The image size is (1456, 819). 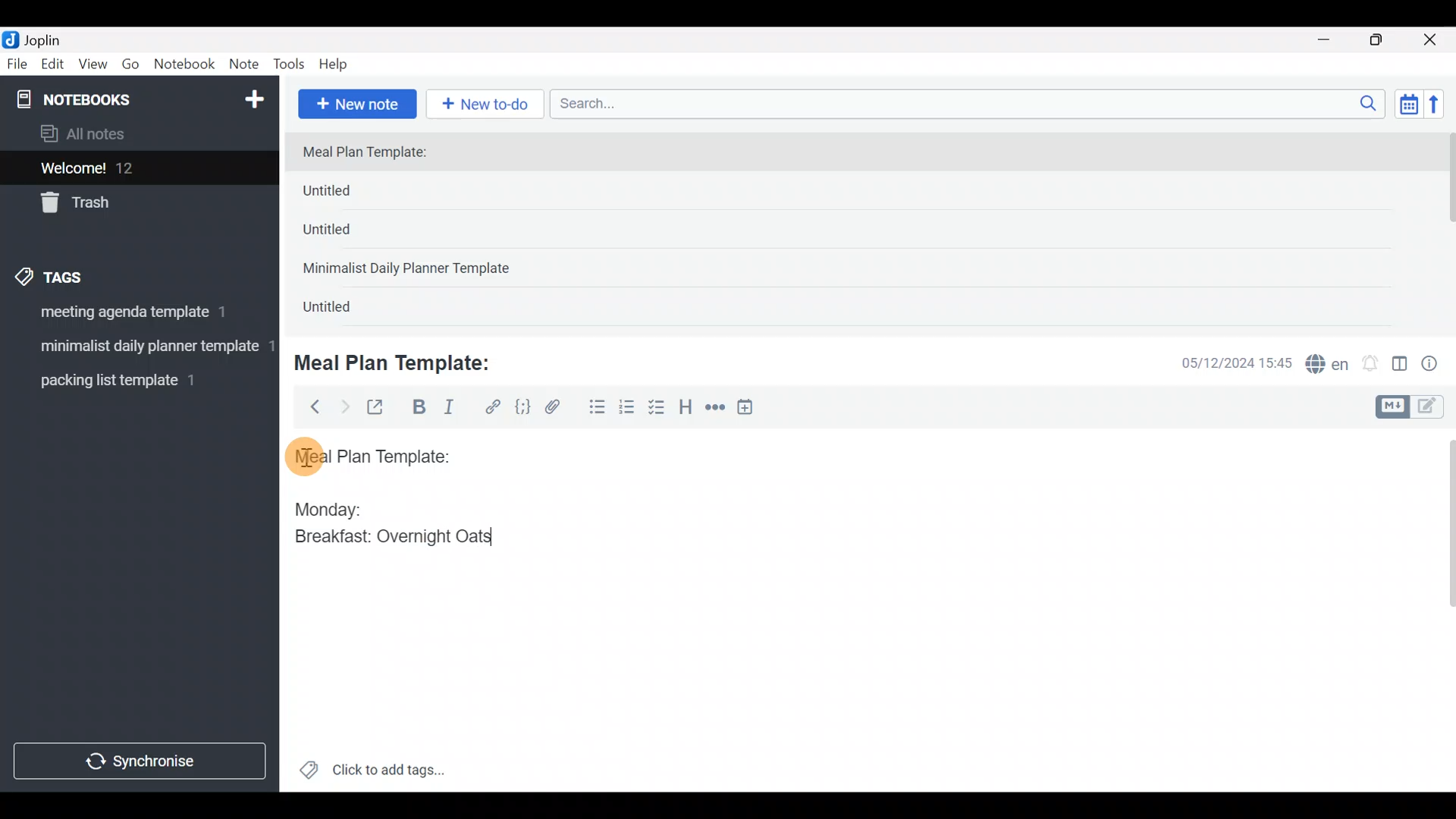 I want to click on Text editor, so click(x=846, y=659).